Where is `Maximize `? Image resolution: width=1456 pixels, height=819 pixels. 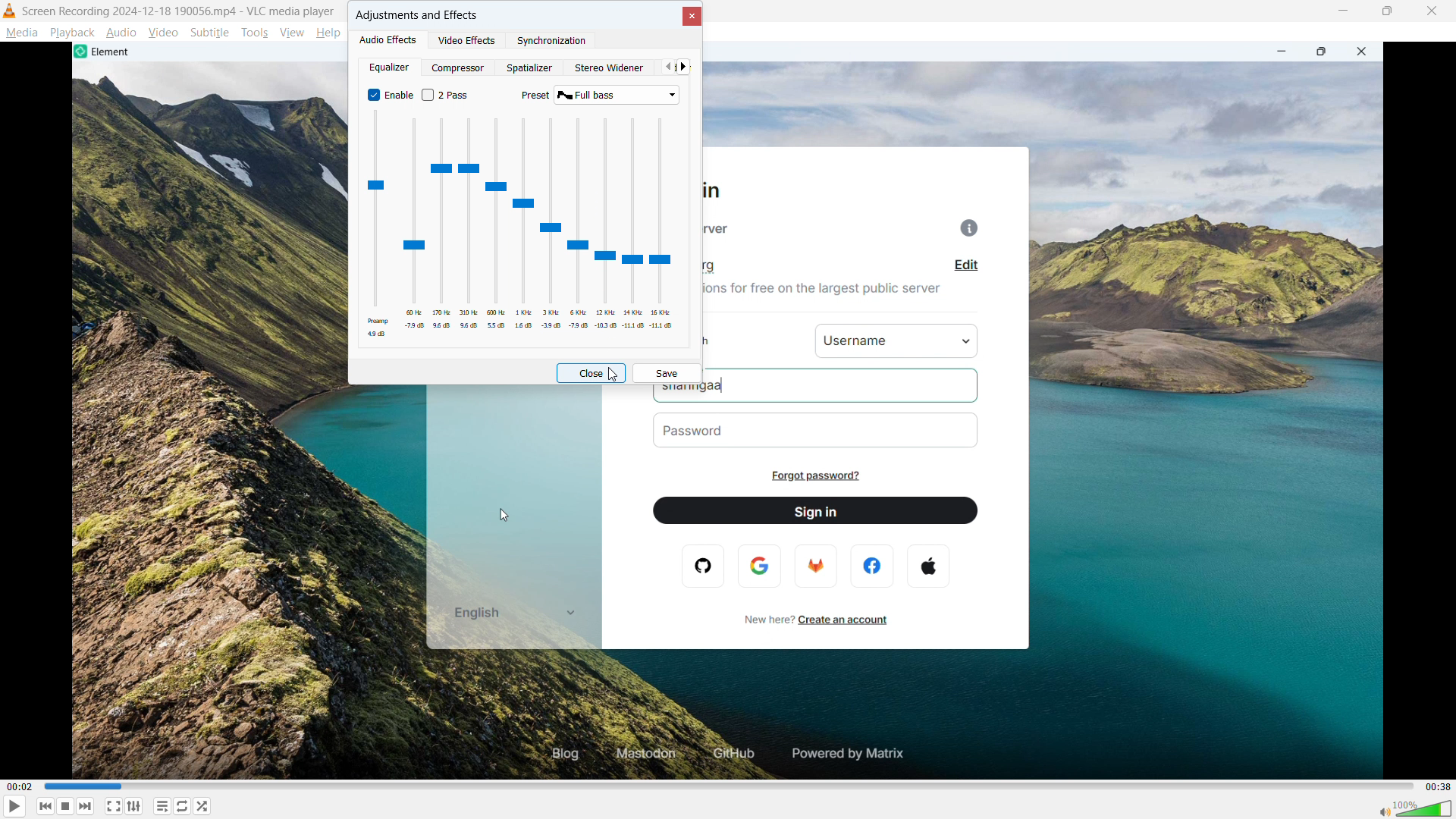
Maximize  is located at coordinates (1389, 11).